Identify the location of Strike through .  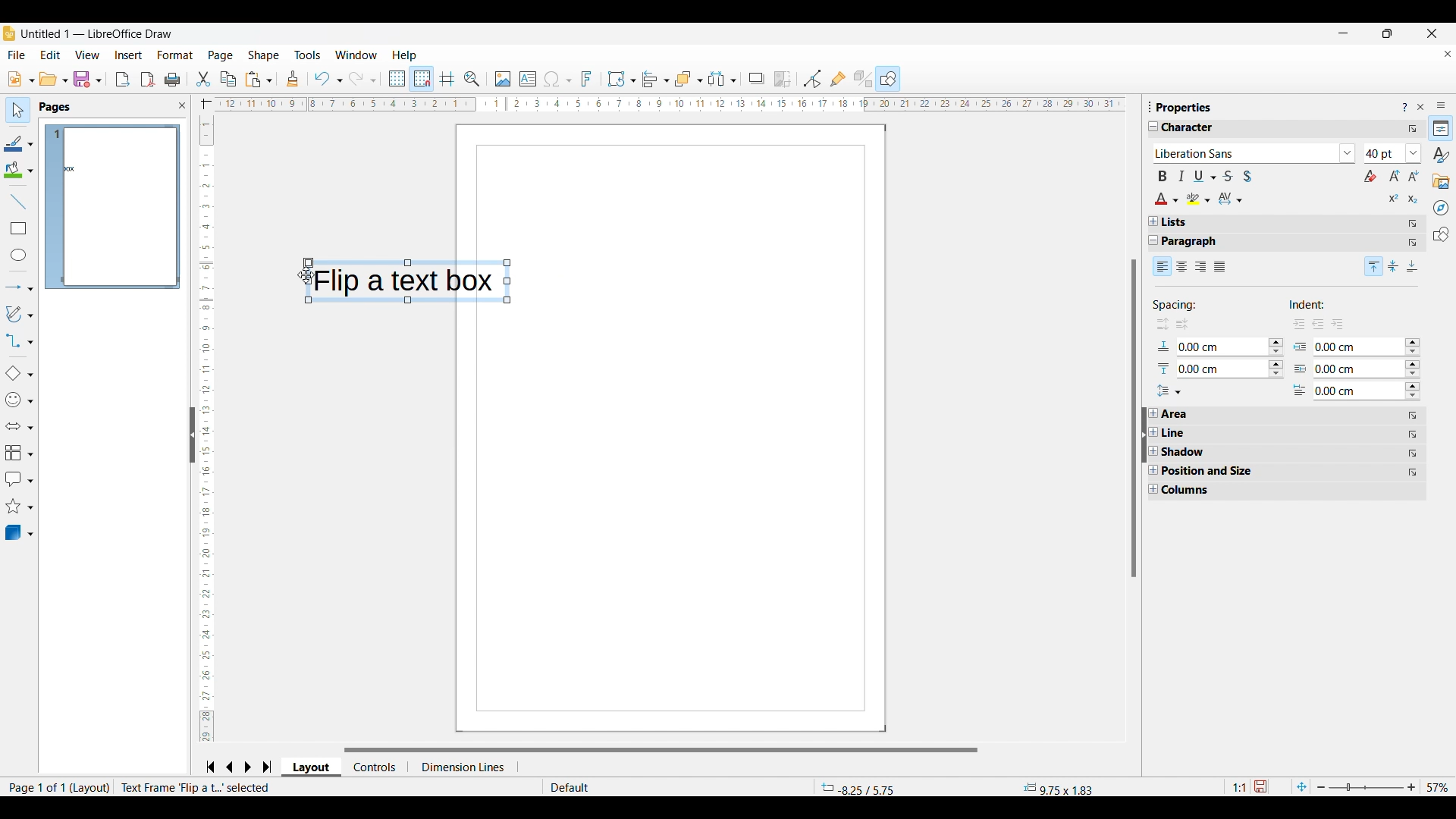
(1228, 176).